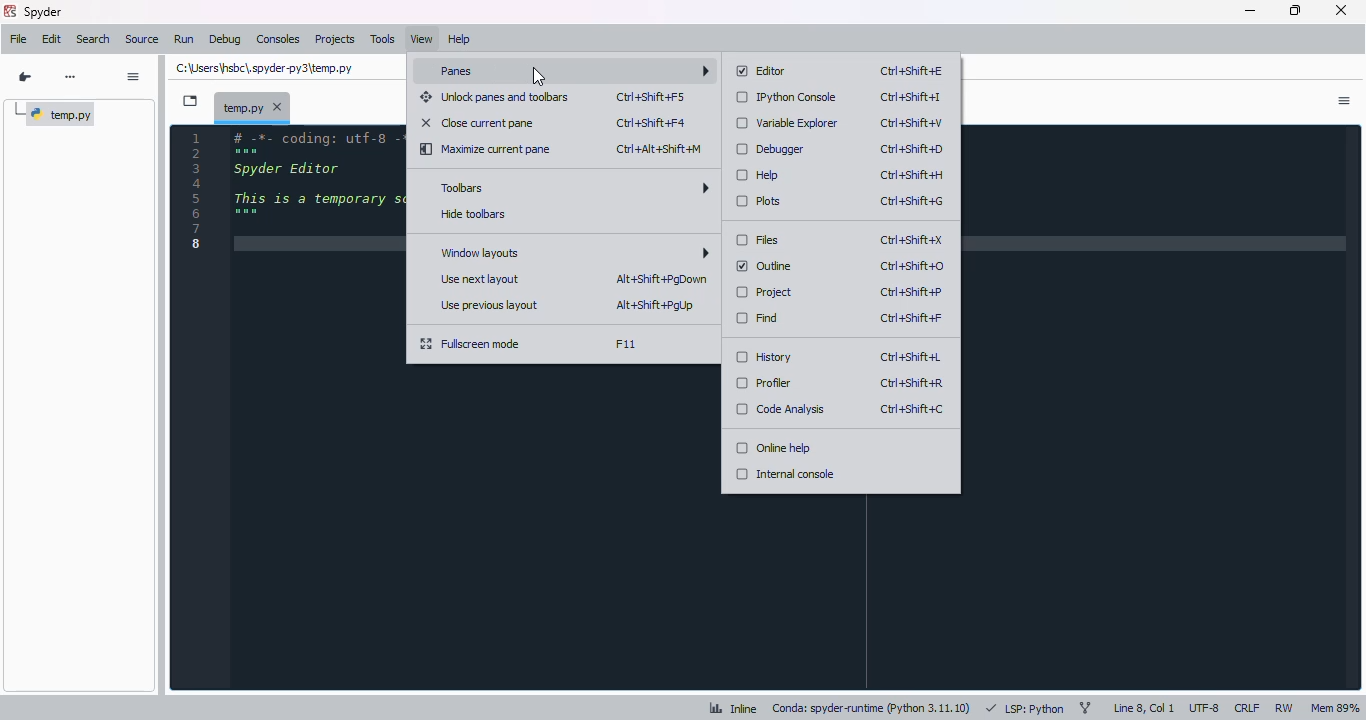 The image size is (1366, 720). I want to click on unlock panes and toolbars, so click(495, 97).